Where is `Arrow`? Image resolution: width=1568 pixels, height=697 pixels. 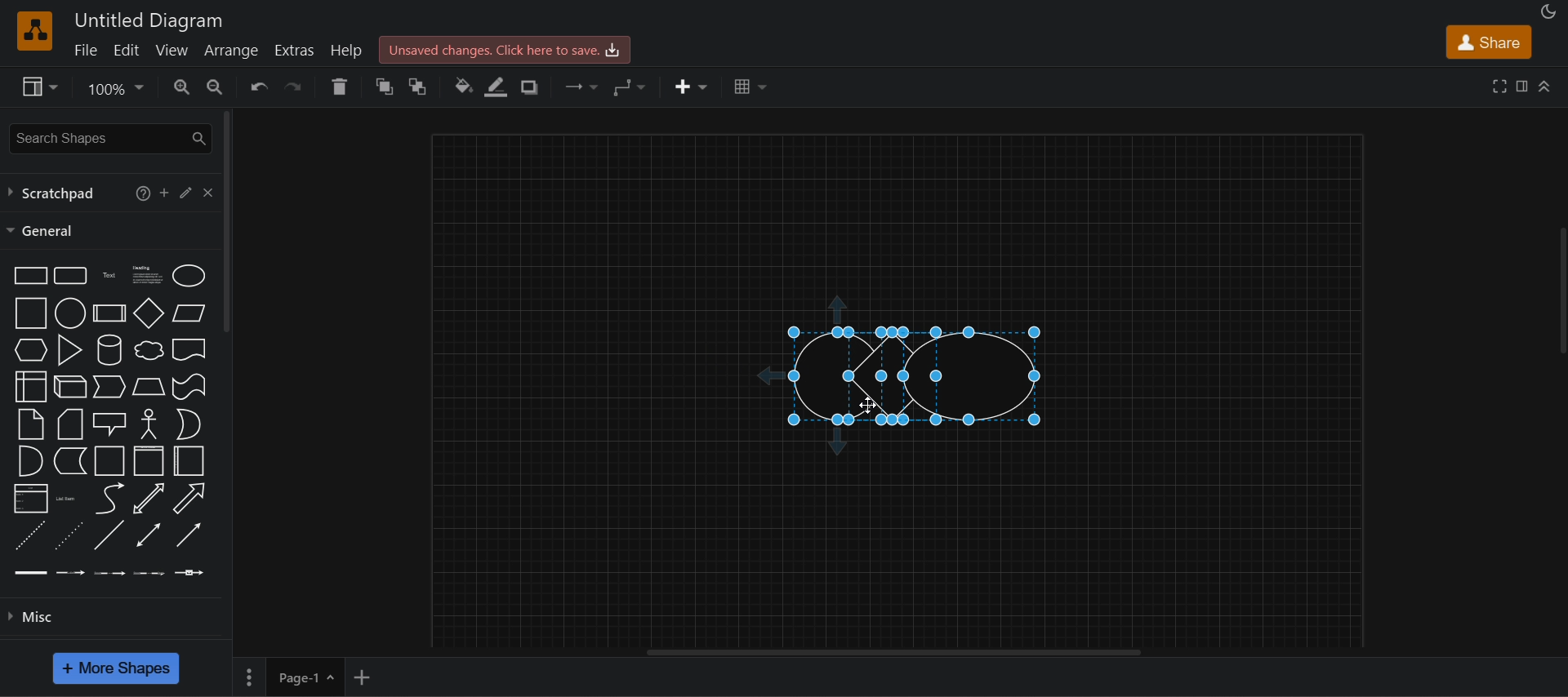
Arrow is located at coordinates (188, 499).